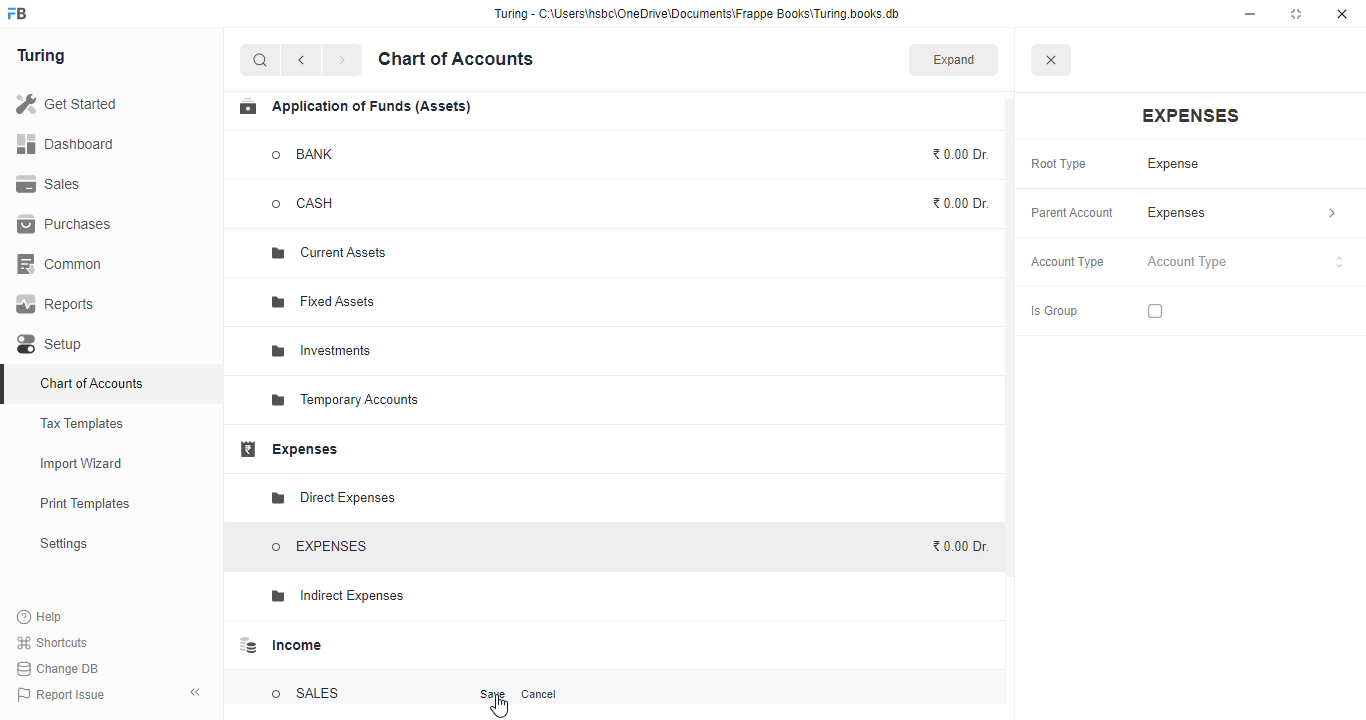  I want to click on EXPENSES , so click(320, 547).